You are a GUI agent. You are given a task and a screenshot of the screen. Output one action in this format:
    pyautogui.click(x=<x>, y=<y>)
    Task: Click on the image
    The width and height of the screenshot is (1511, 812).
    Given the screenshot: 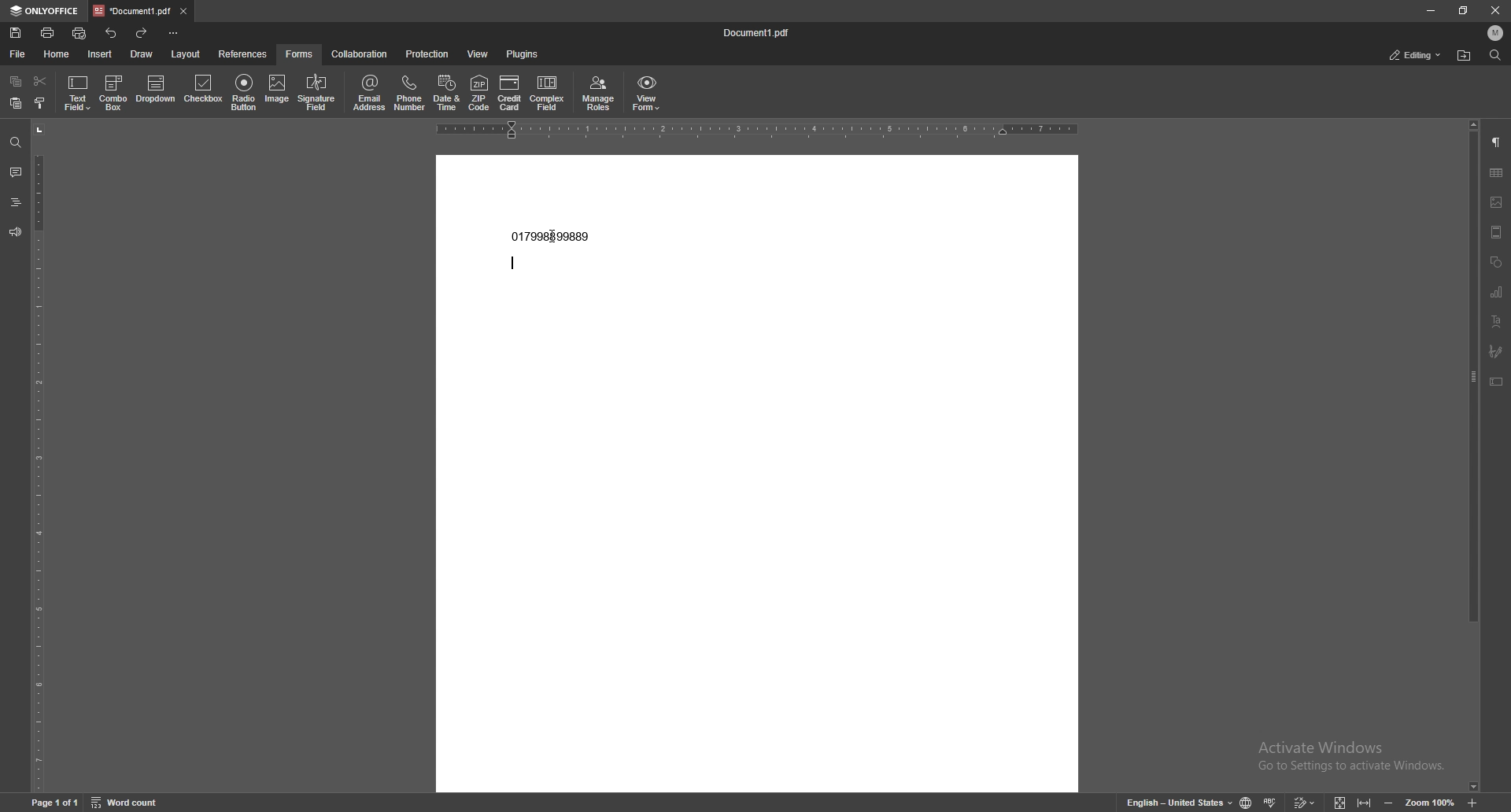 What is the action you would take?
    pyautogui.click(x=1497, y=201)
    